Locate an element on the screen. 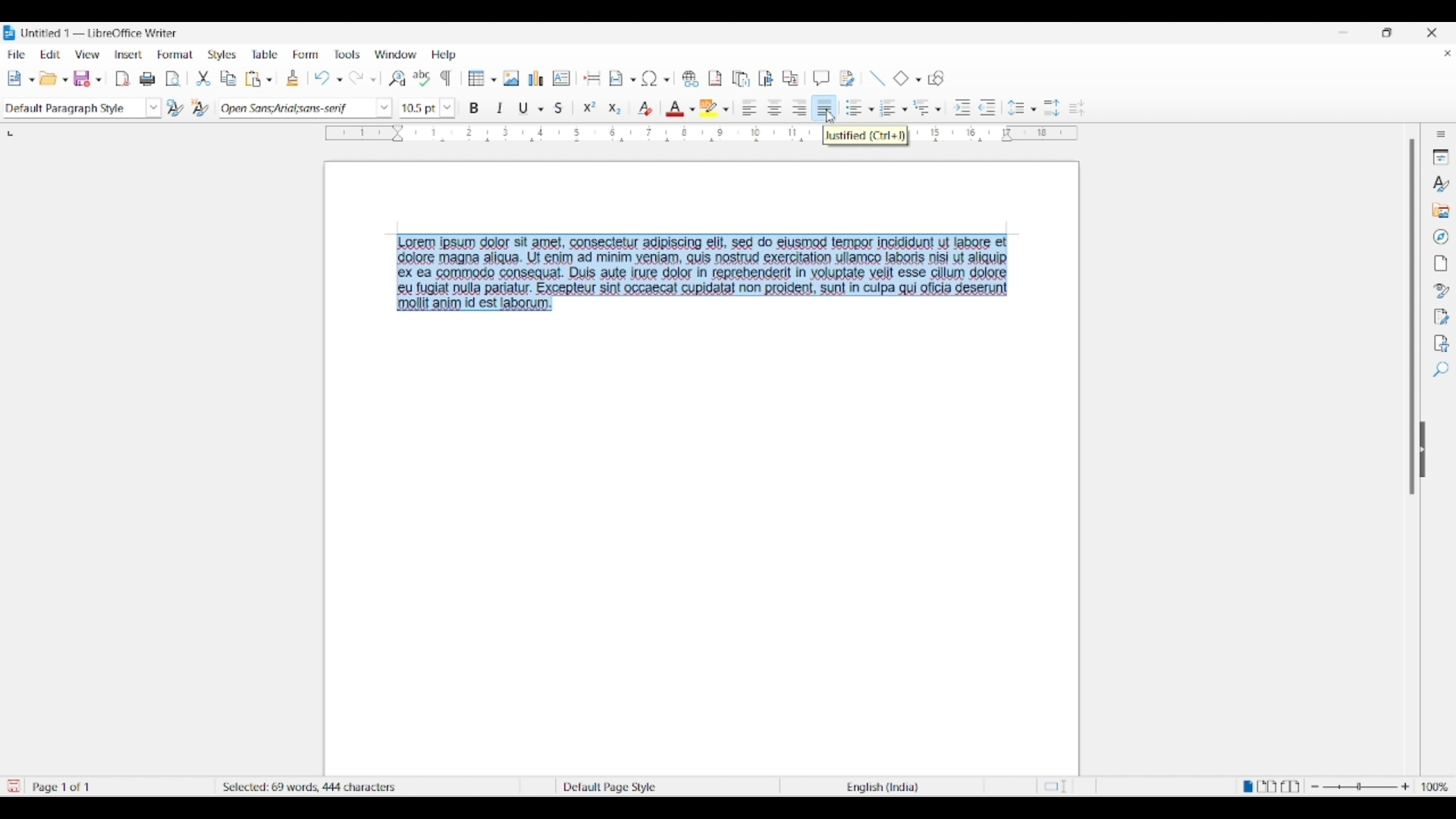 The image size is (1456, 819). Insert is located at coordinates (129, 54).